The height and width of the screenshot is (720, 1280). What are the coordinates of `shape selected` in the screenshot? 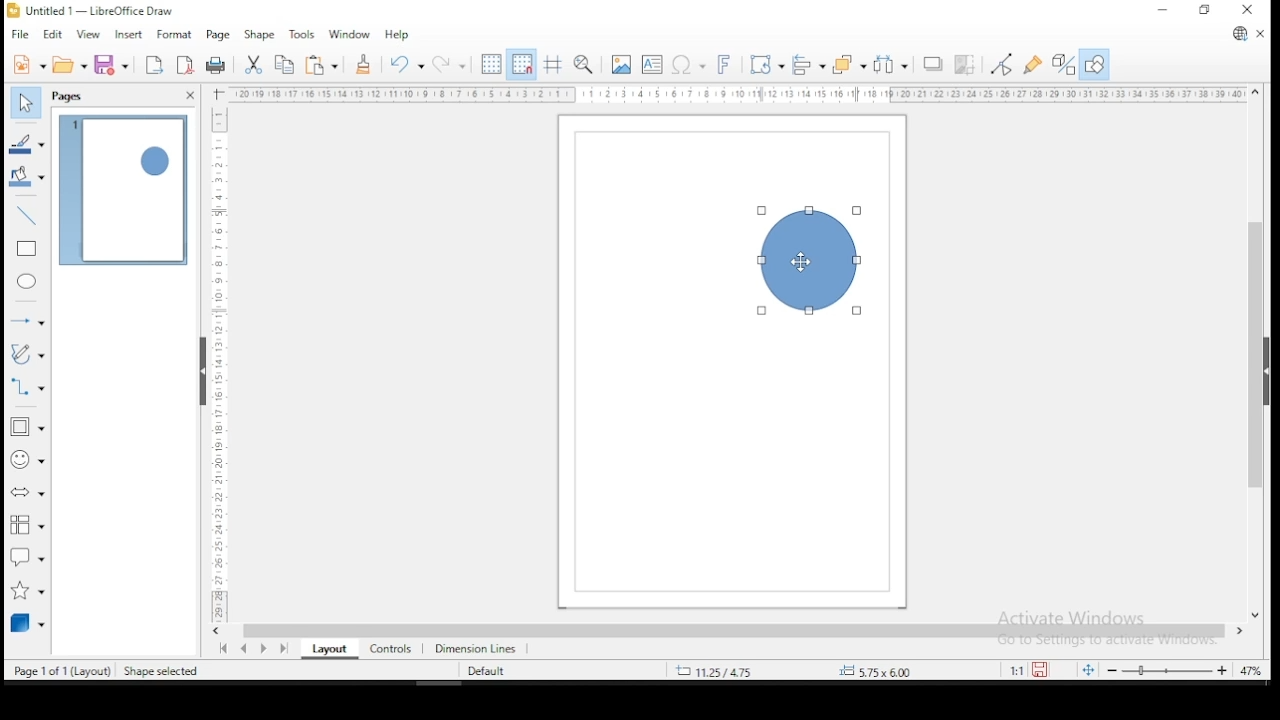 It's located at (163, 672).